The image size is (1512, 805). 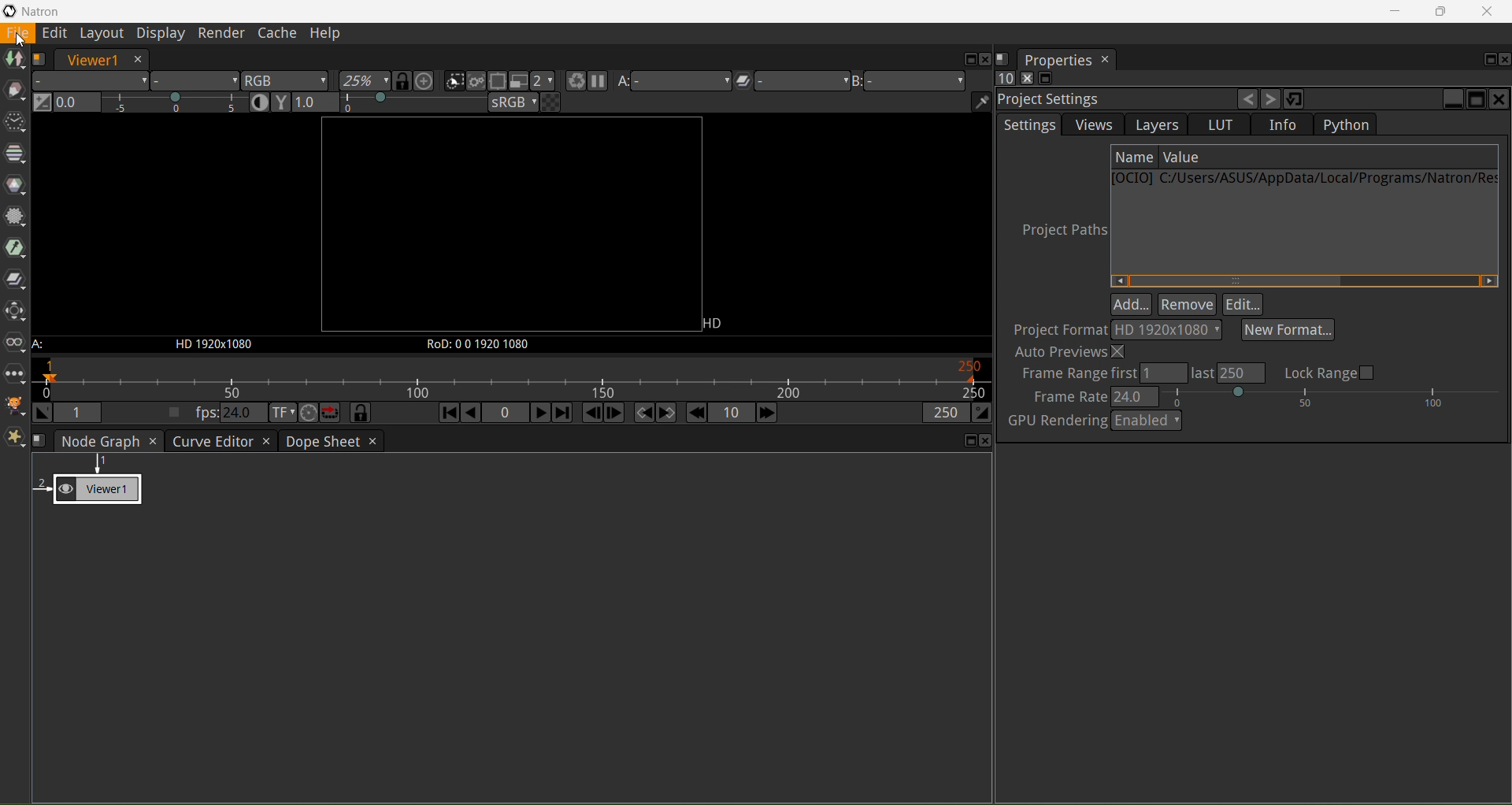 What do you see at coordinates (545, 81) in the screenshot?
I see `When proxy mode is activated, it scales down the rendered image by this factor to accelerate the rendering ` at bounding box center [545, 81].